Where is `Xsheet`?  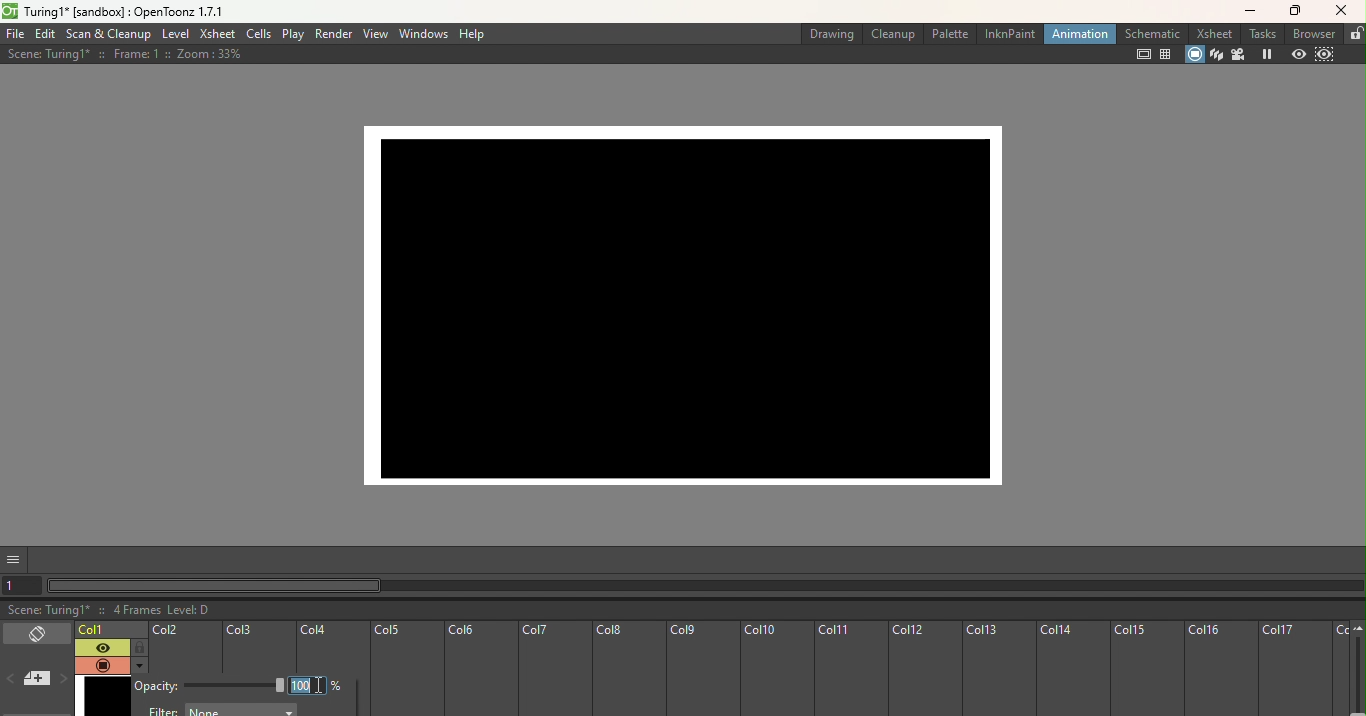 Xsheet is located at coordinates (1210, 34).